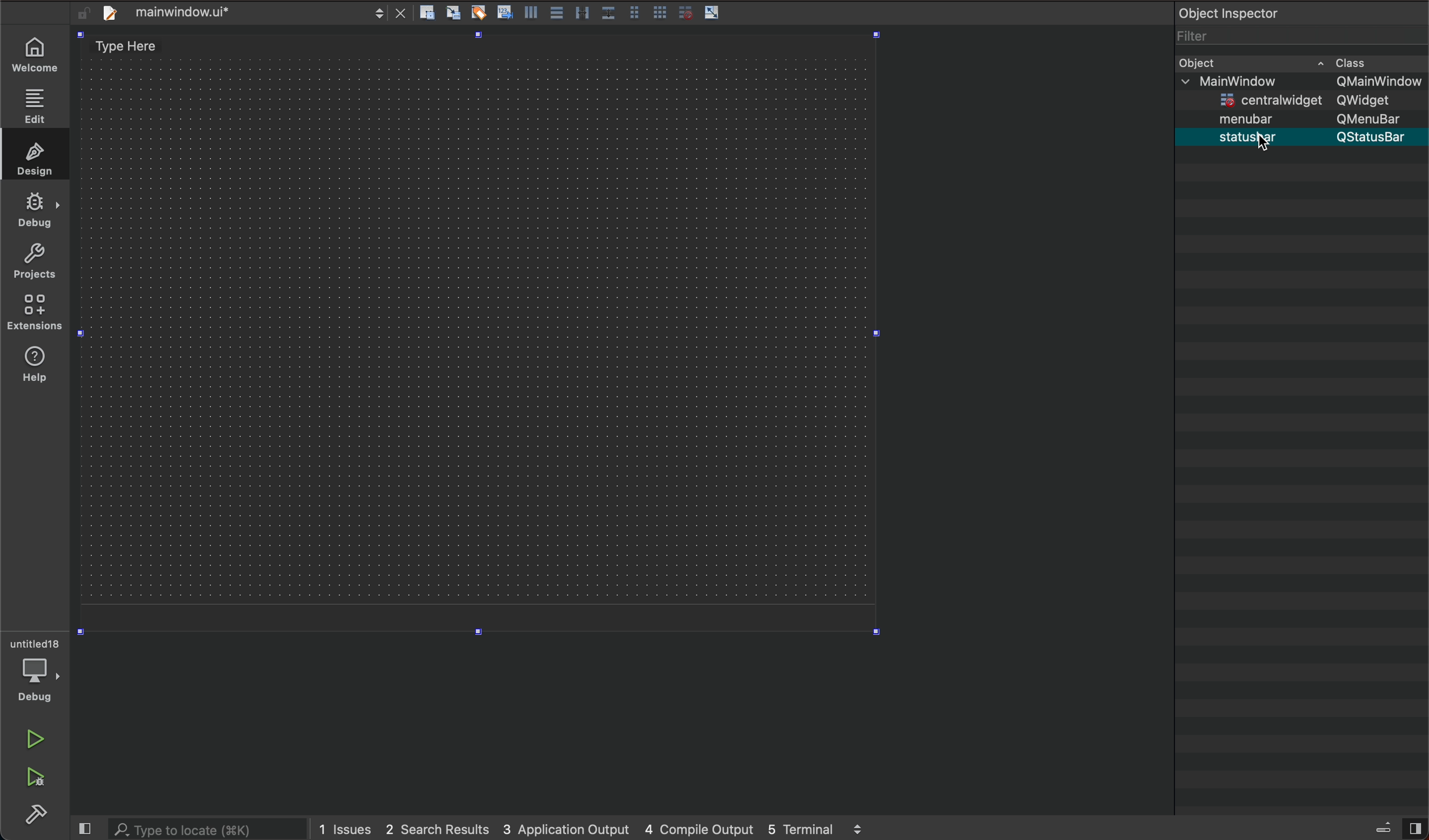 The image size is (1429, 840). What do you see at coordinates (484, 351) in the screenshot?
I see `design area` at bounding box center [484, 351].